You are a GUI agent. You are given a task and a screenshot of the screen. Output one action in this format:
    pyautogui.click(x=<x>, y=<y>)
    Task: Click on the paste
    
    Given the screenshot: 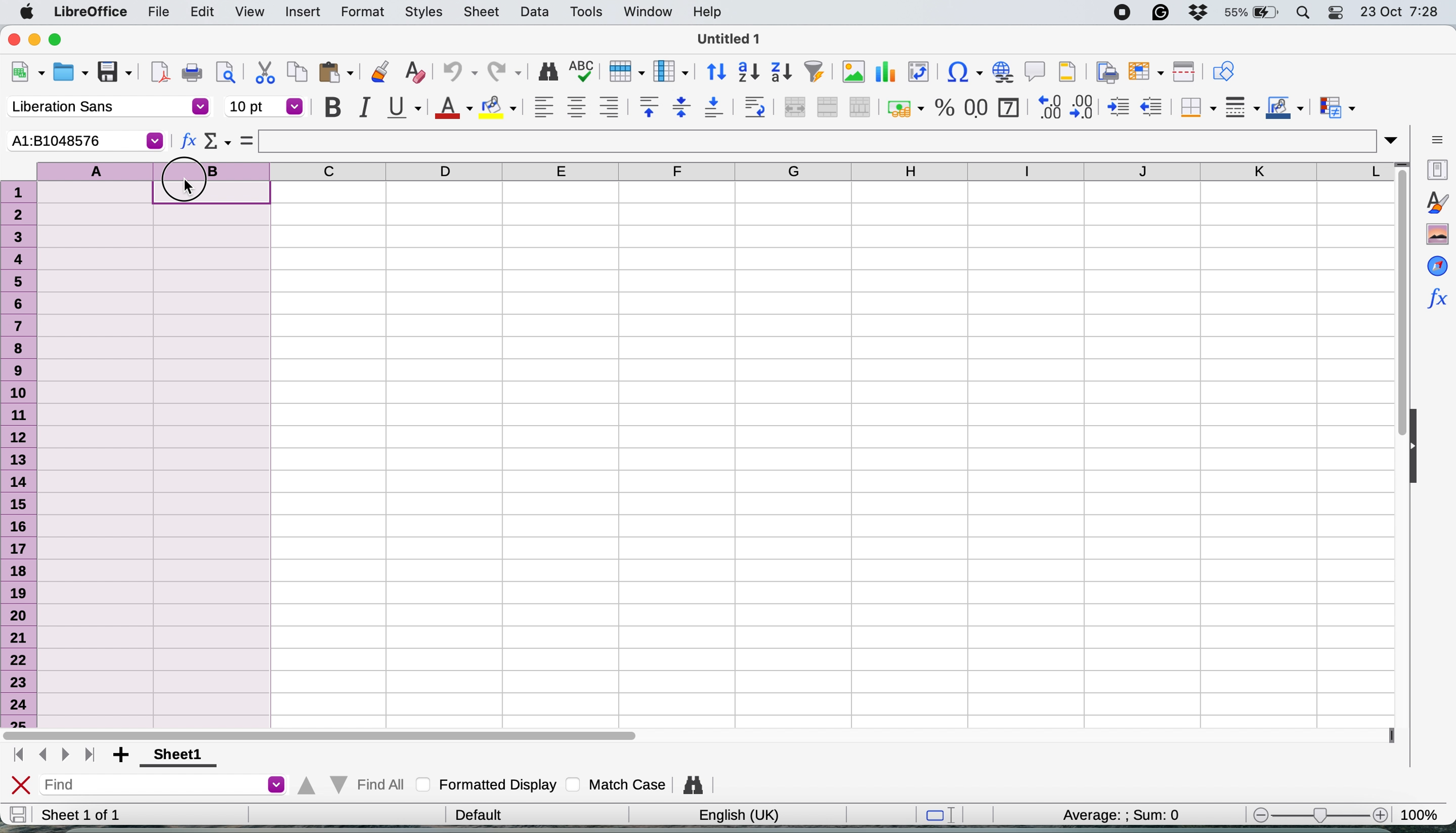 What is the action you would take?
    pyautogui.click(x=339, y=74)
    